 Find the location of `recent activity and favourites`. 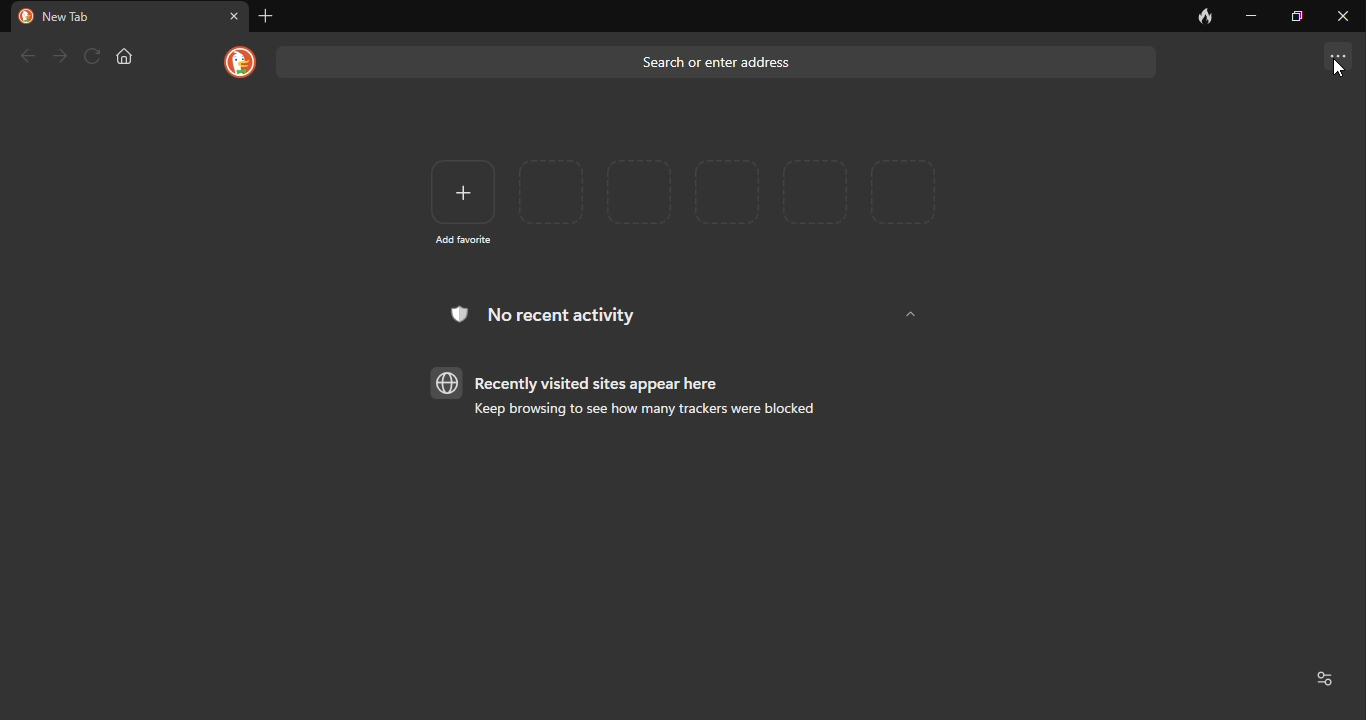

recent activity and favourites is located at coordinates (1324, 680).